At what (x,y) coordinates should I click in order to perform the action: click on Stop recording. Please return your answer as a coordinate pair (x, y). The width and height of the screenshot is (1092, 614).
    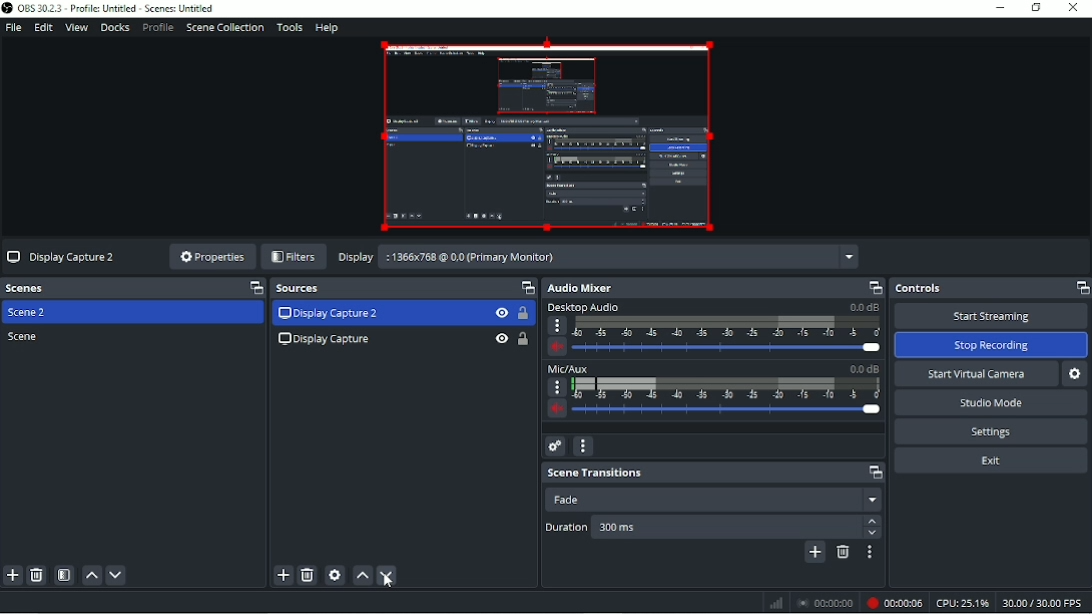
    Looking at the image, I should click on (991, 345).